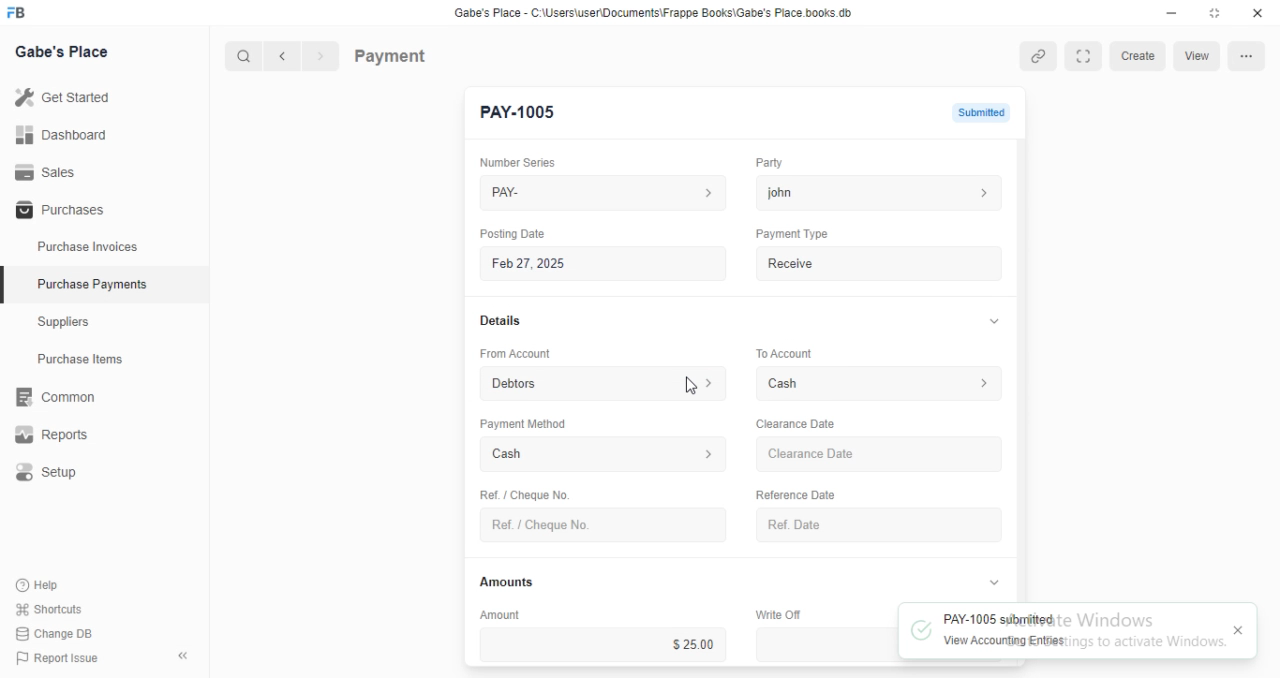 The width and height of the screenshot is (1280, 678). What do you see at coordinates (57, 211) in the screenshot?
I see `Purchases` at bounding box center [57, 211].